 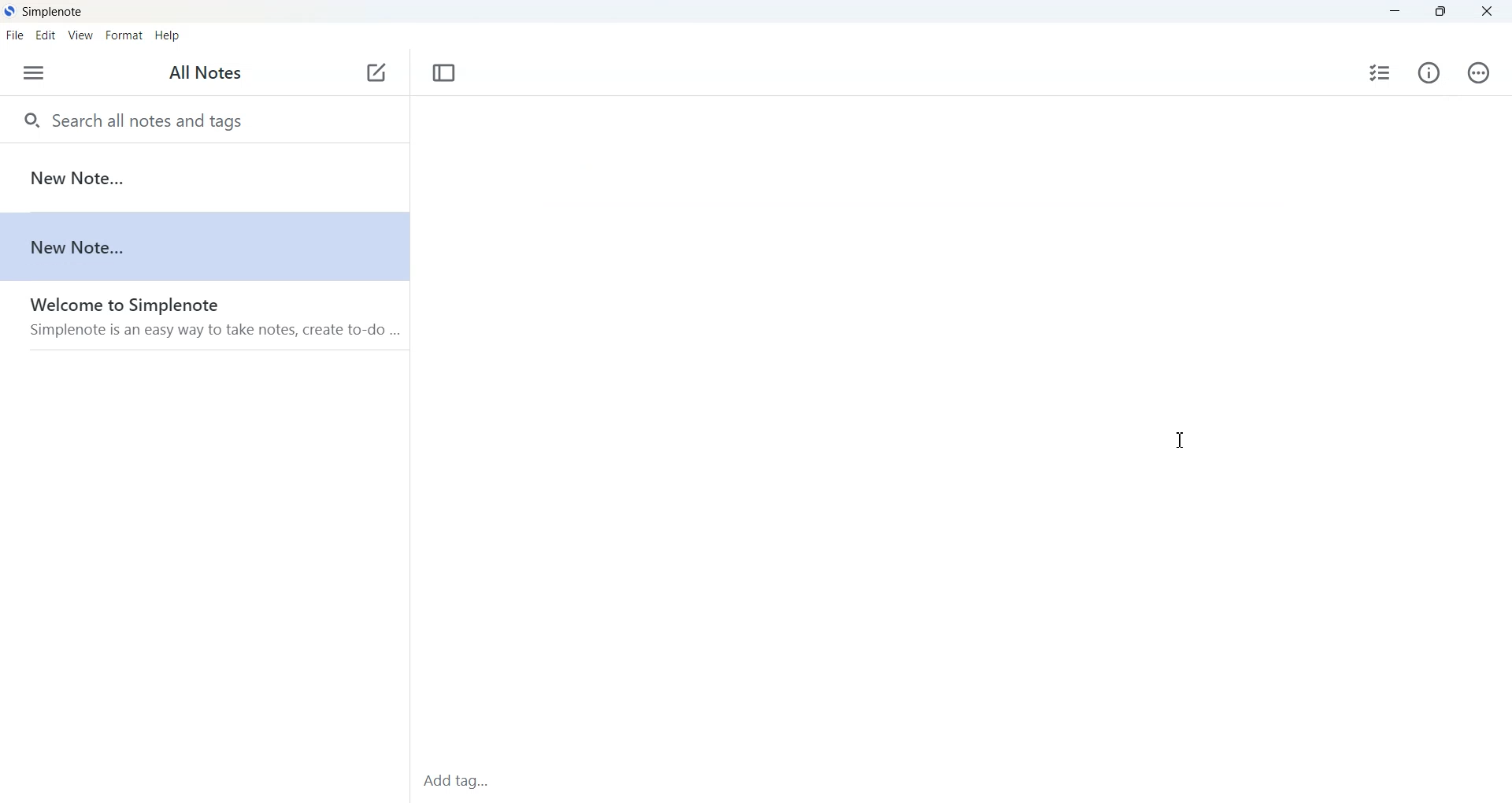 What do you see at coordinates (376, 73) in the screenshot?
I see `Add new note` at bounding box center [376, 73].